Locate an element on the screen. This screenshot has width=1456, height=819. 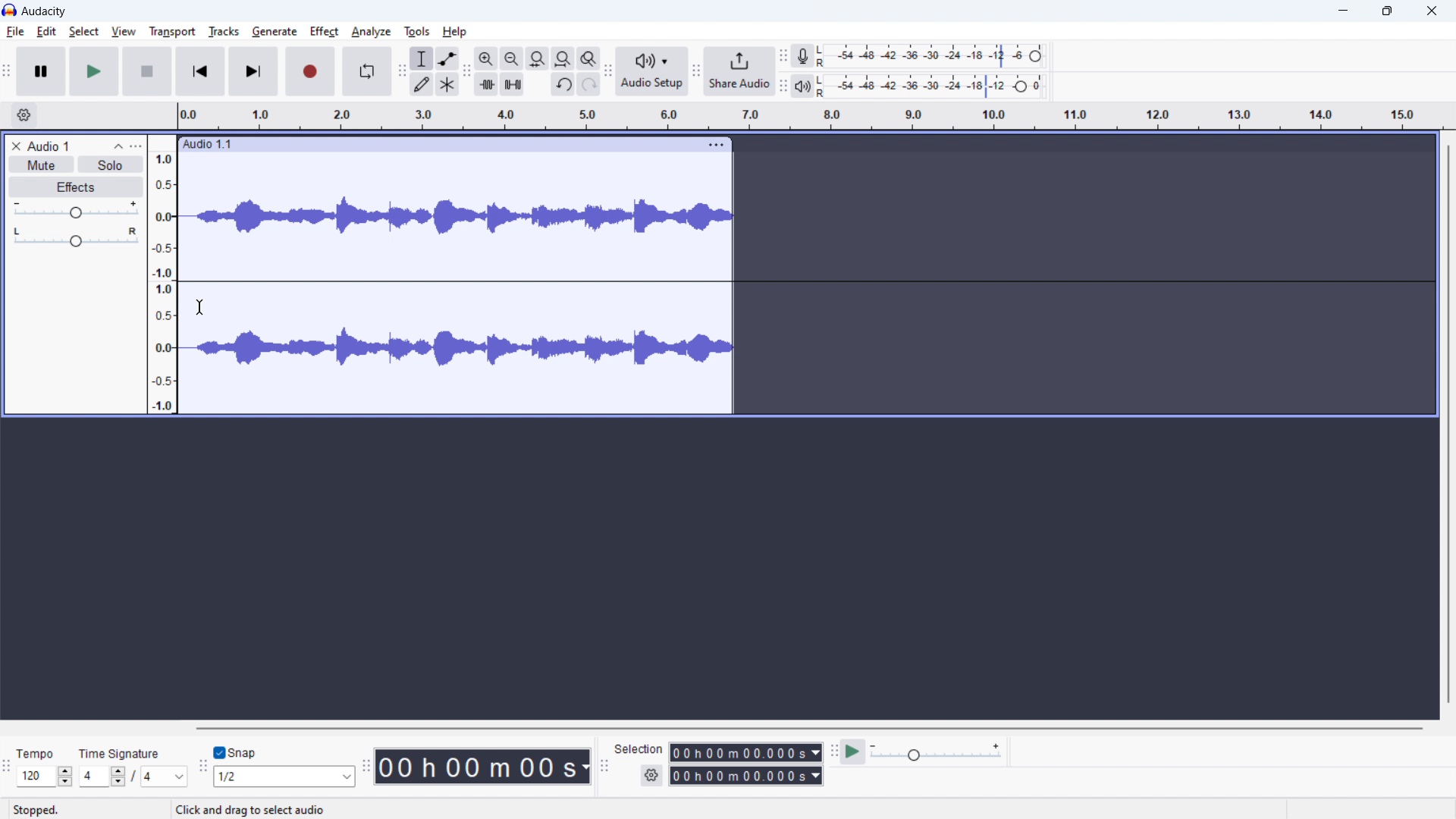
increase tempo is located at coordinates (65, 770).